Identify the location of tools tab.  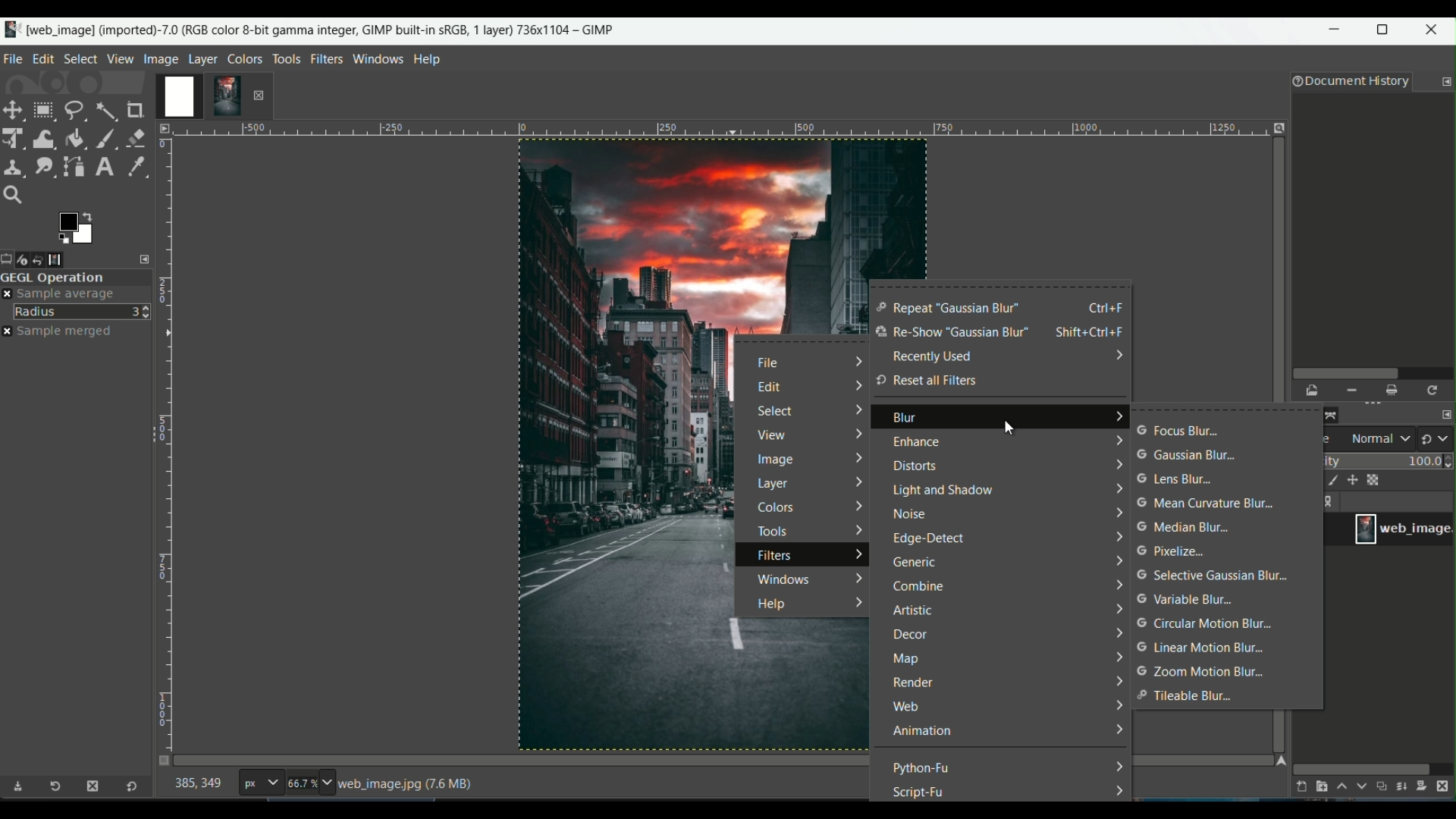
(286, 58).